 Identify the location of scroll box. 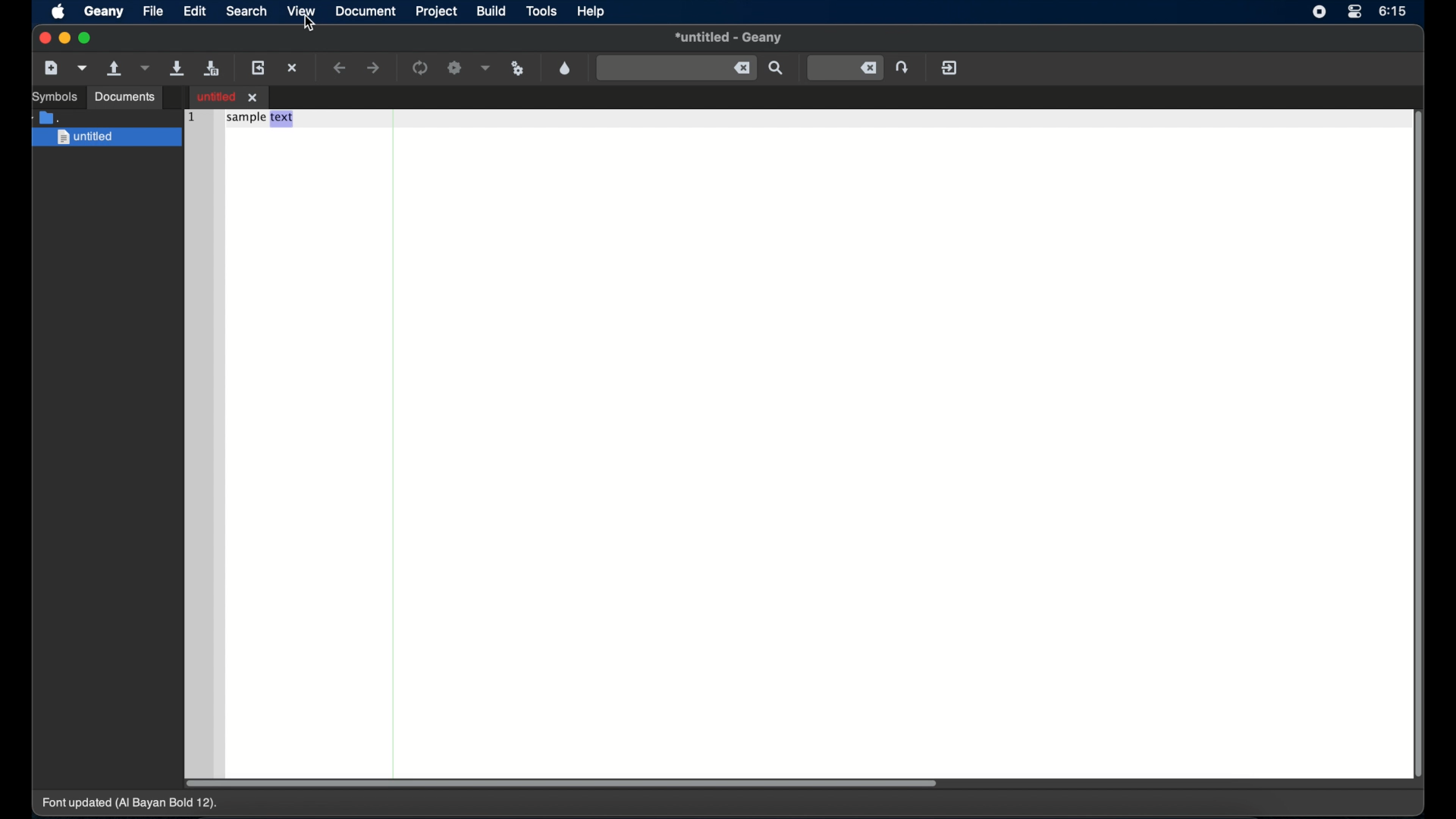
(1420, 447).